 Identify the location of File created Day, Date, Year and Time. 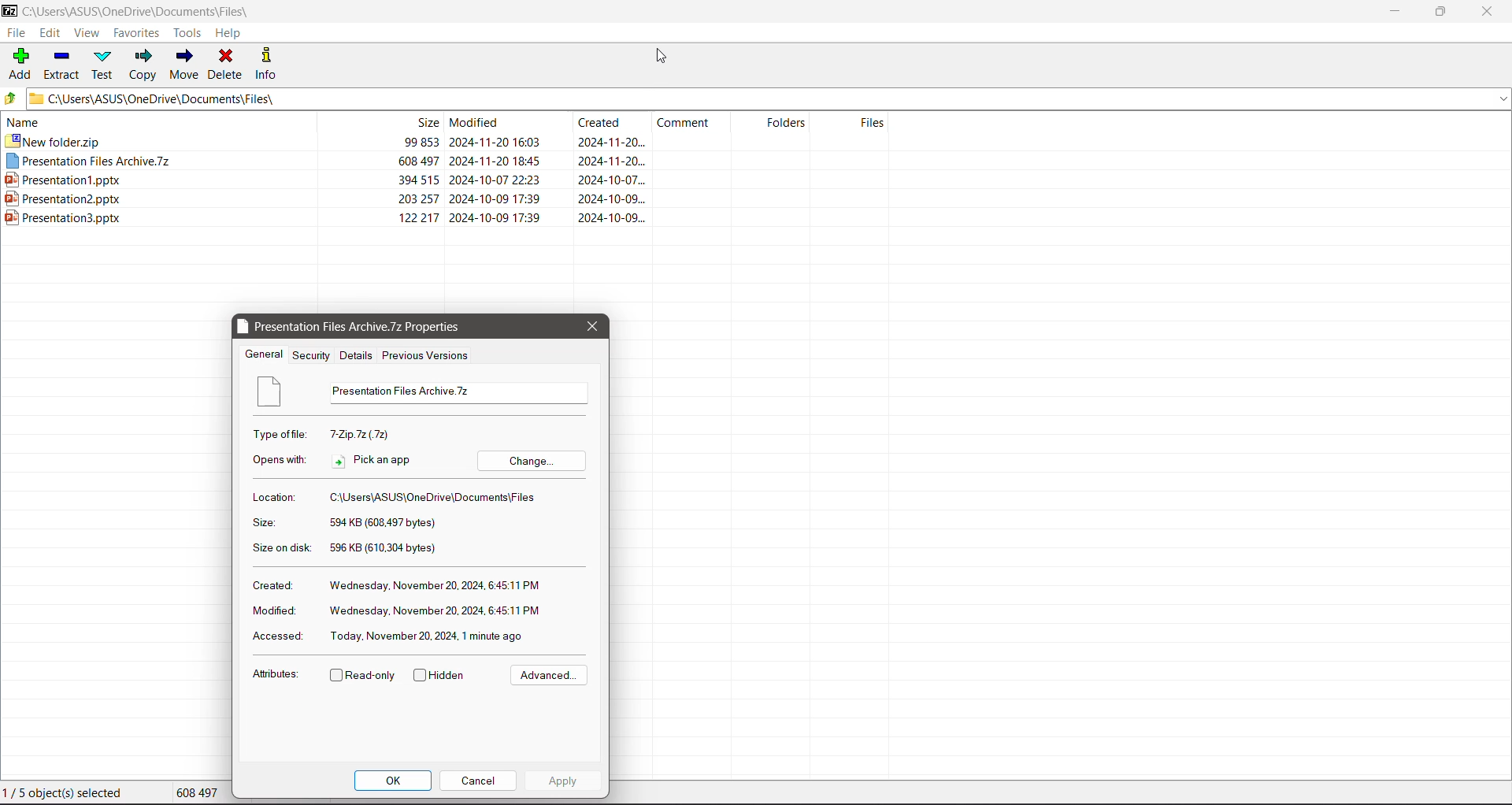
(439, 584).